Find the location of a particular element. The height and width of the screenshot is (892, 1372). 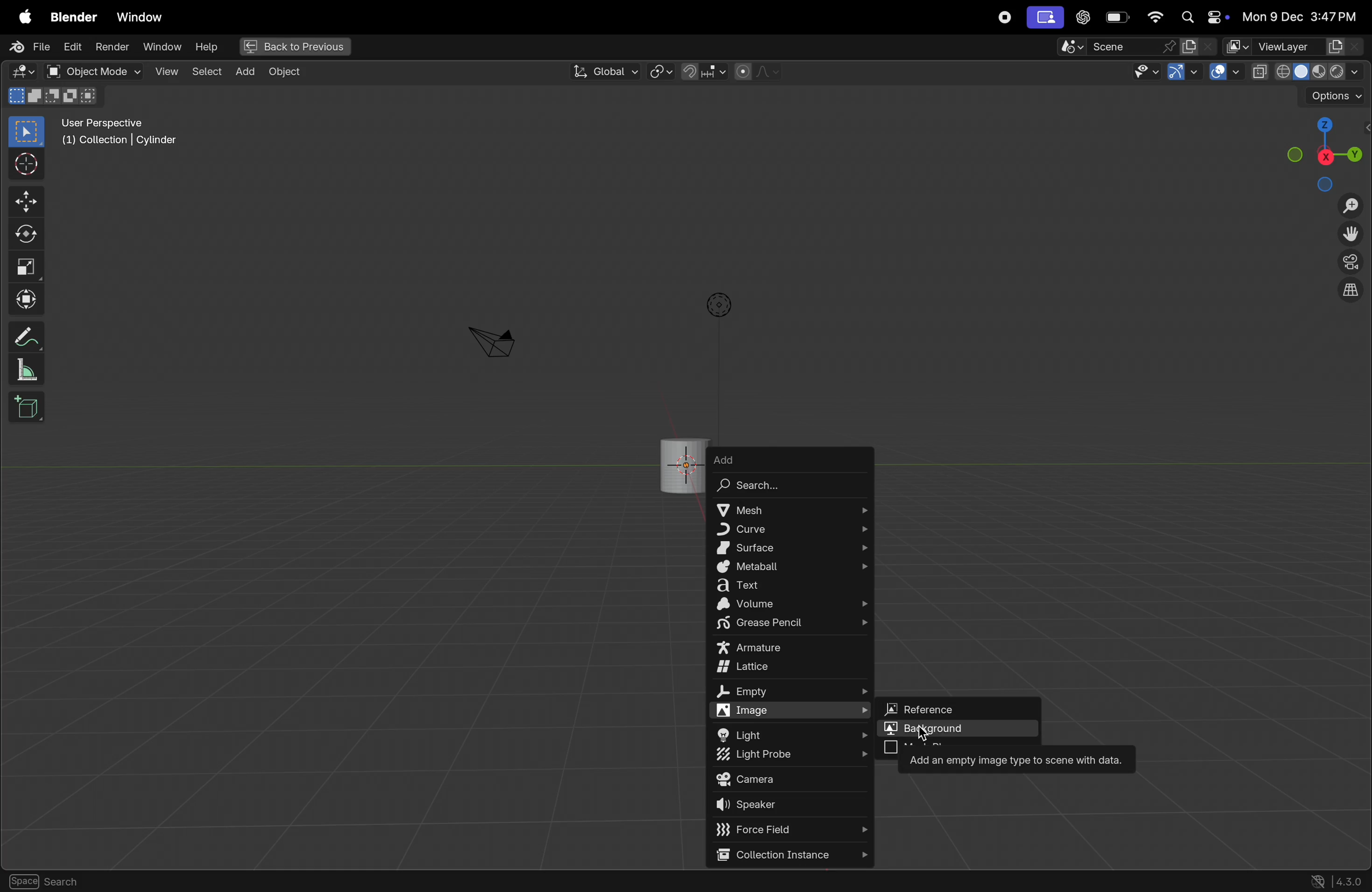

lattice is located at coordinates (793, 668).